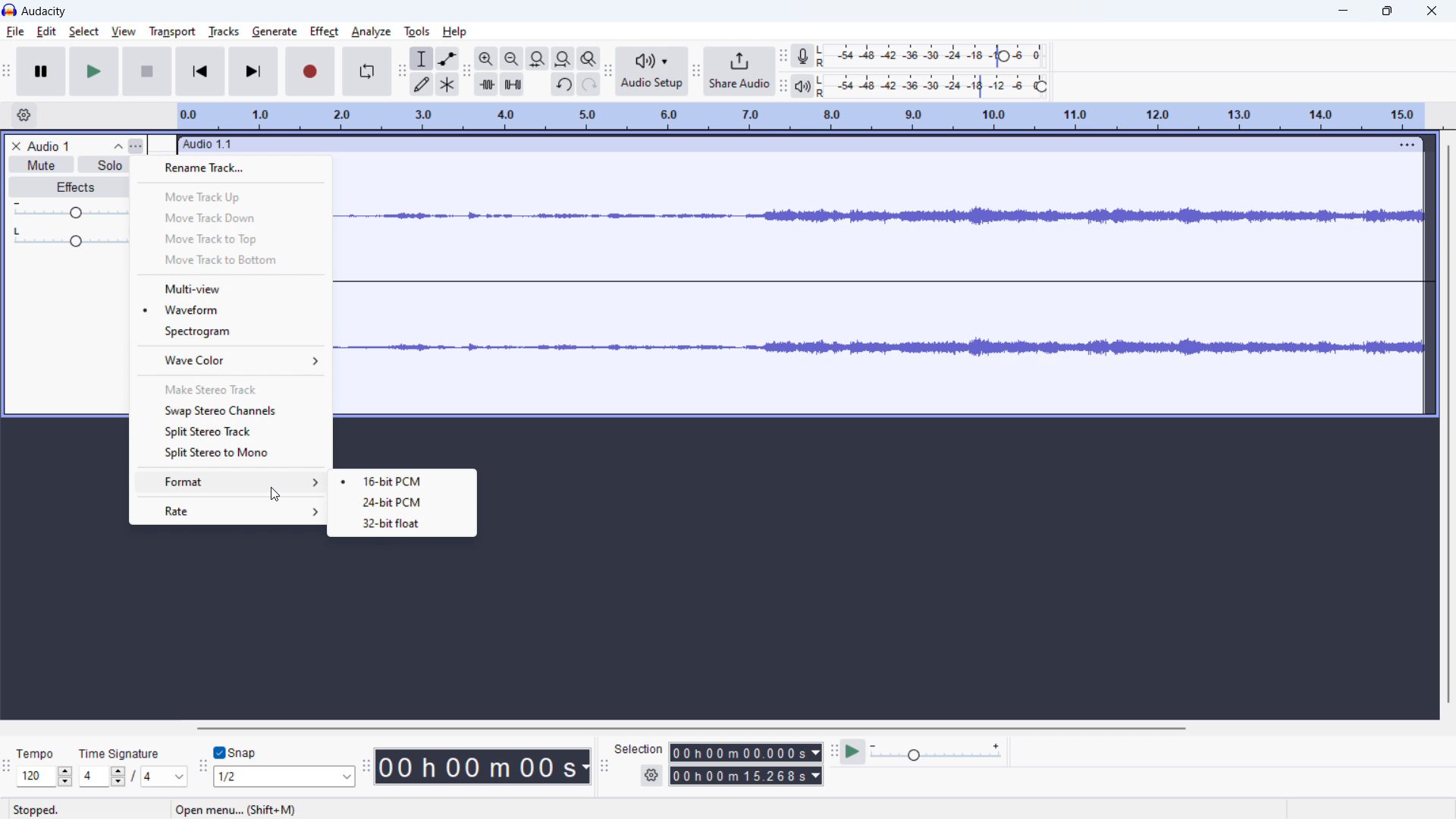 This screenshot has width=1456, height=819. What do you see at coordinates (695, 728) in the screenshot?
I see `horizontal scrollbar` at bounding box center [695, 728].